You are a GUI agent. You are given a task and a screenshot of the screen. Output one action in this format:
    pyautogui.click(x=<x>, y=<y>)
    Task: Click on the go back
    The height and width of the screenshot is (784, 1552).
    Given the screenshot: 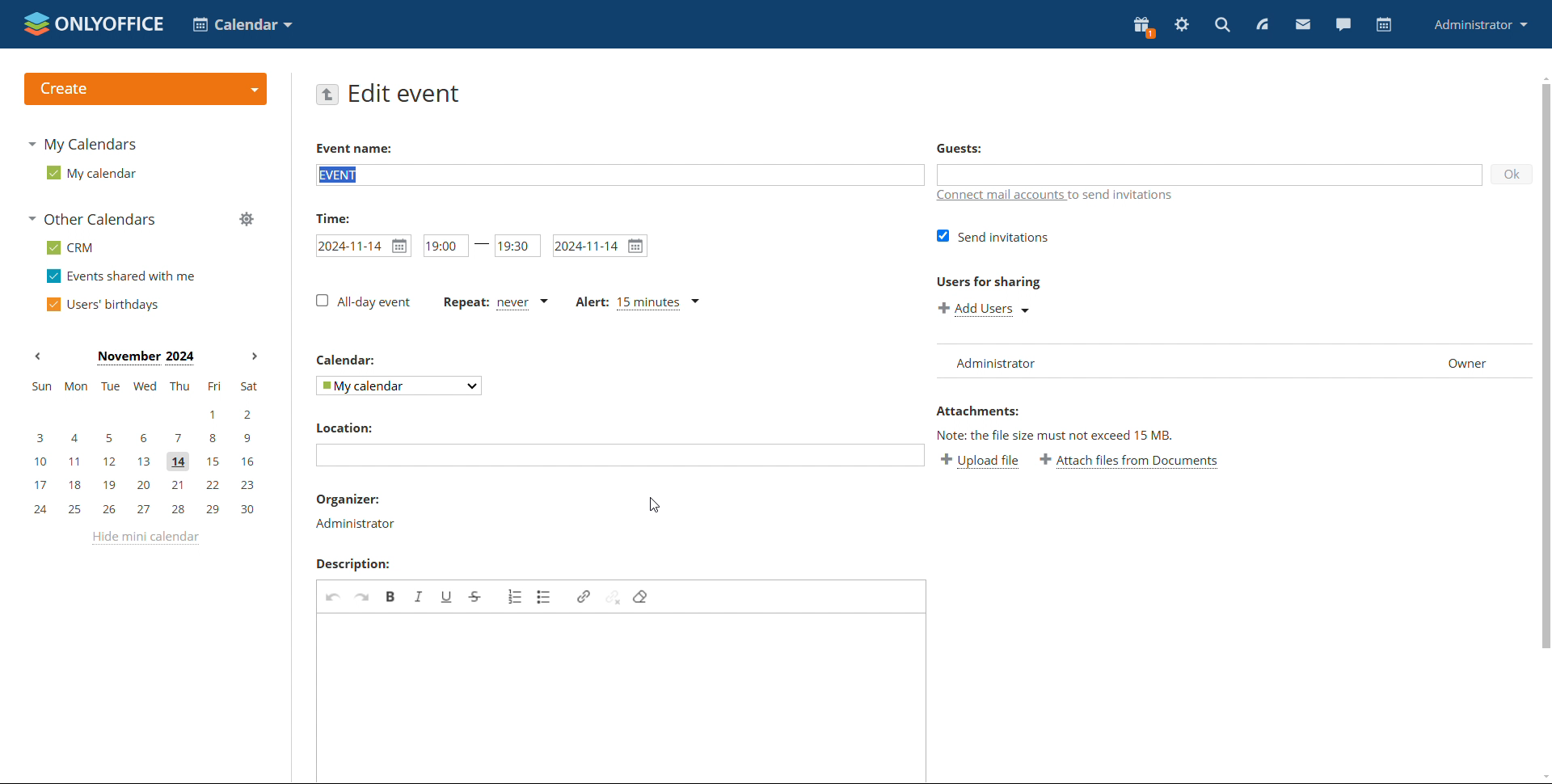 What is the action you would take?
    pyautogui.click(x=327, y=95)
    